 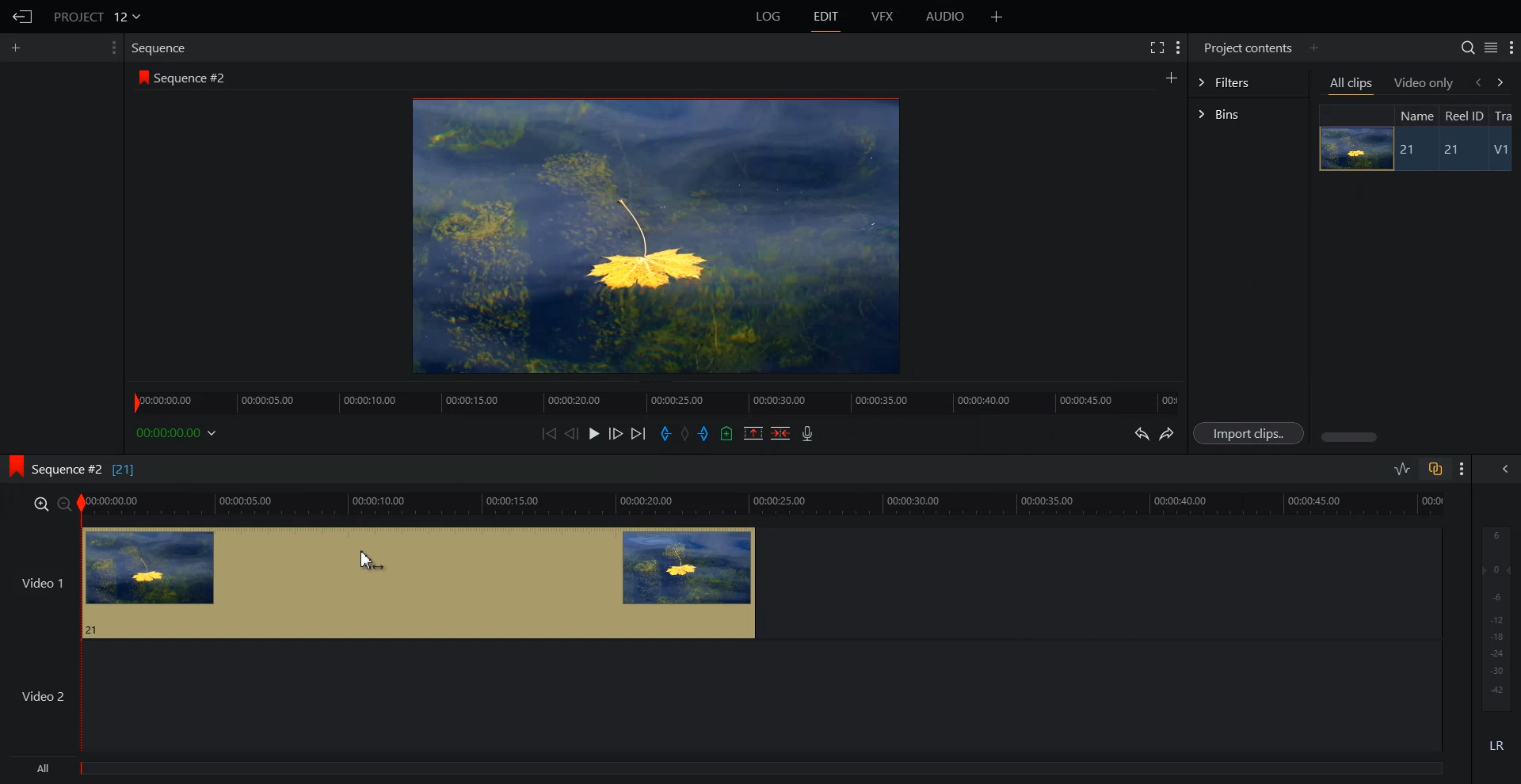 What do you see at coordinates (765, 502) in the screenshot?
I see `video time` at bounding box center [765, 502].